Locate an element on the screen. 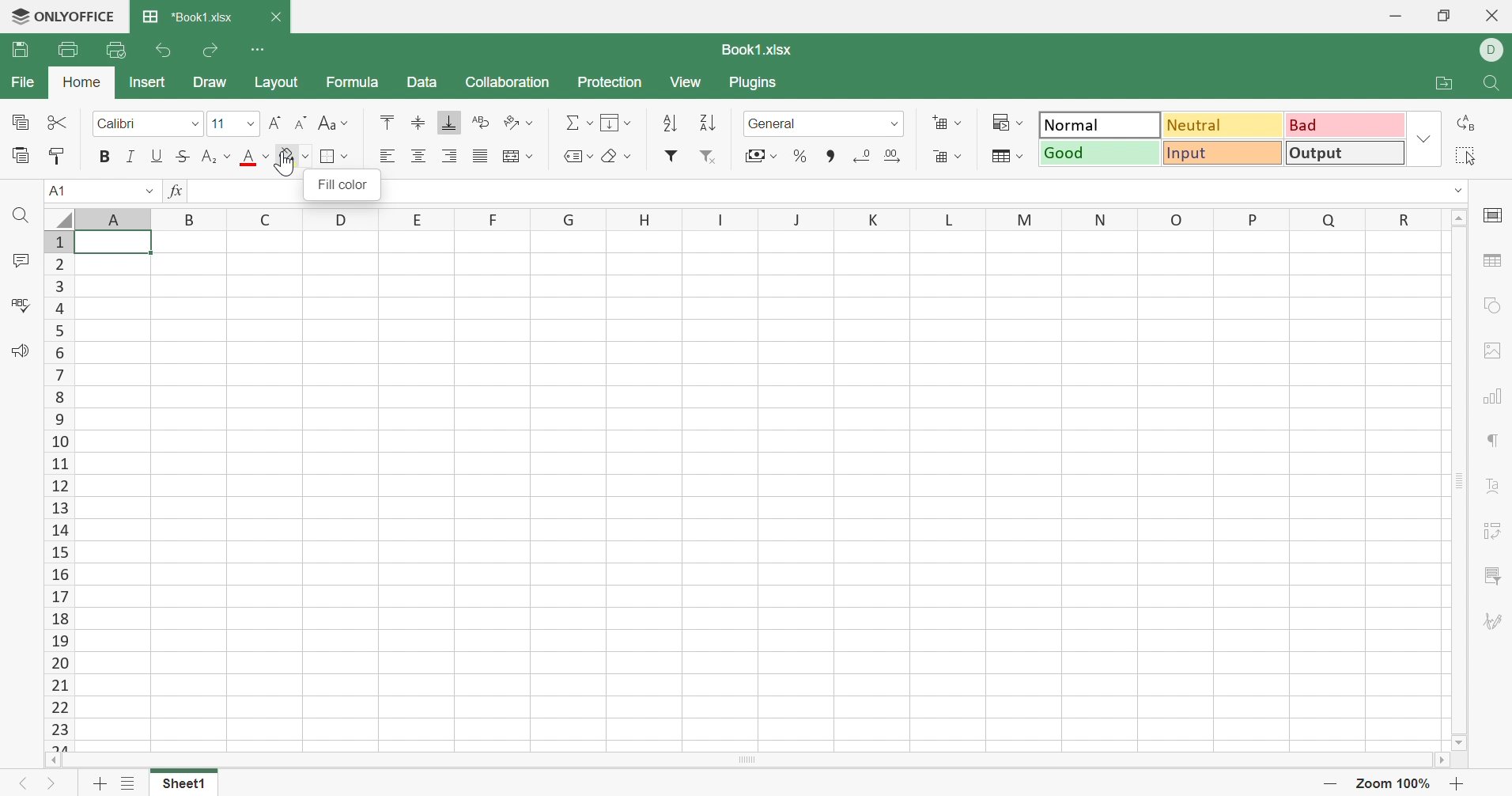 The width and height of the screenshot is (1512, 796). fx is located at coordinates (178, 191).